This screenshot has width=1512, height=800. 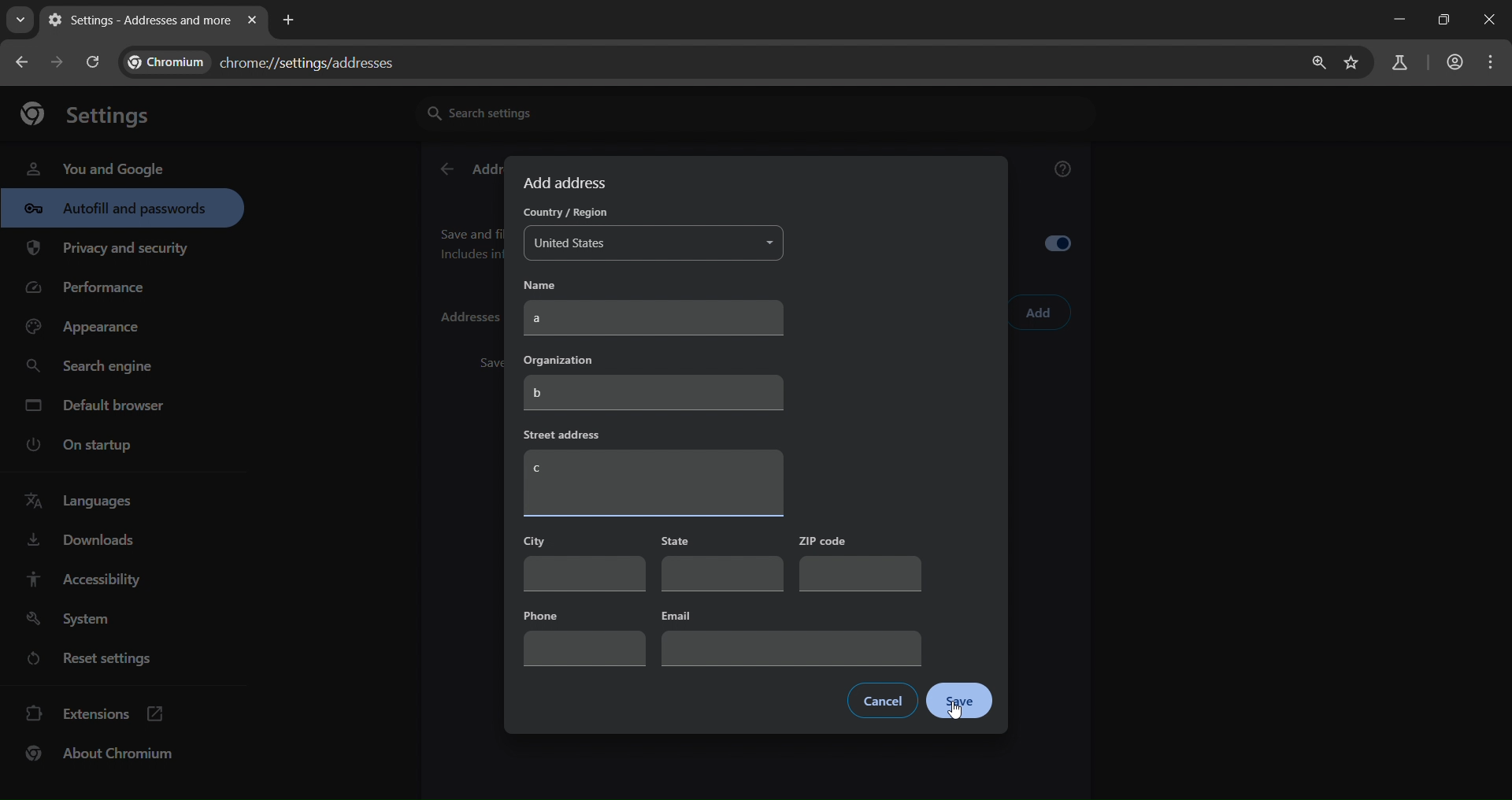 I want to click on organization, so click(x=563, y=360).